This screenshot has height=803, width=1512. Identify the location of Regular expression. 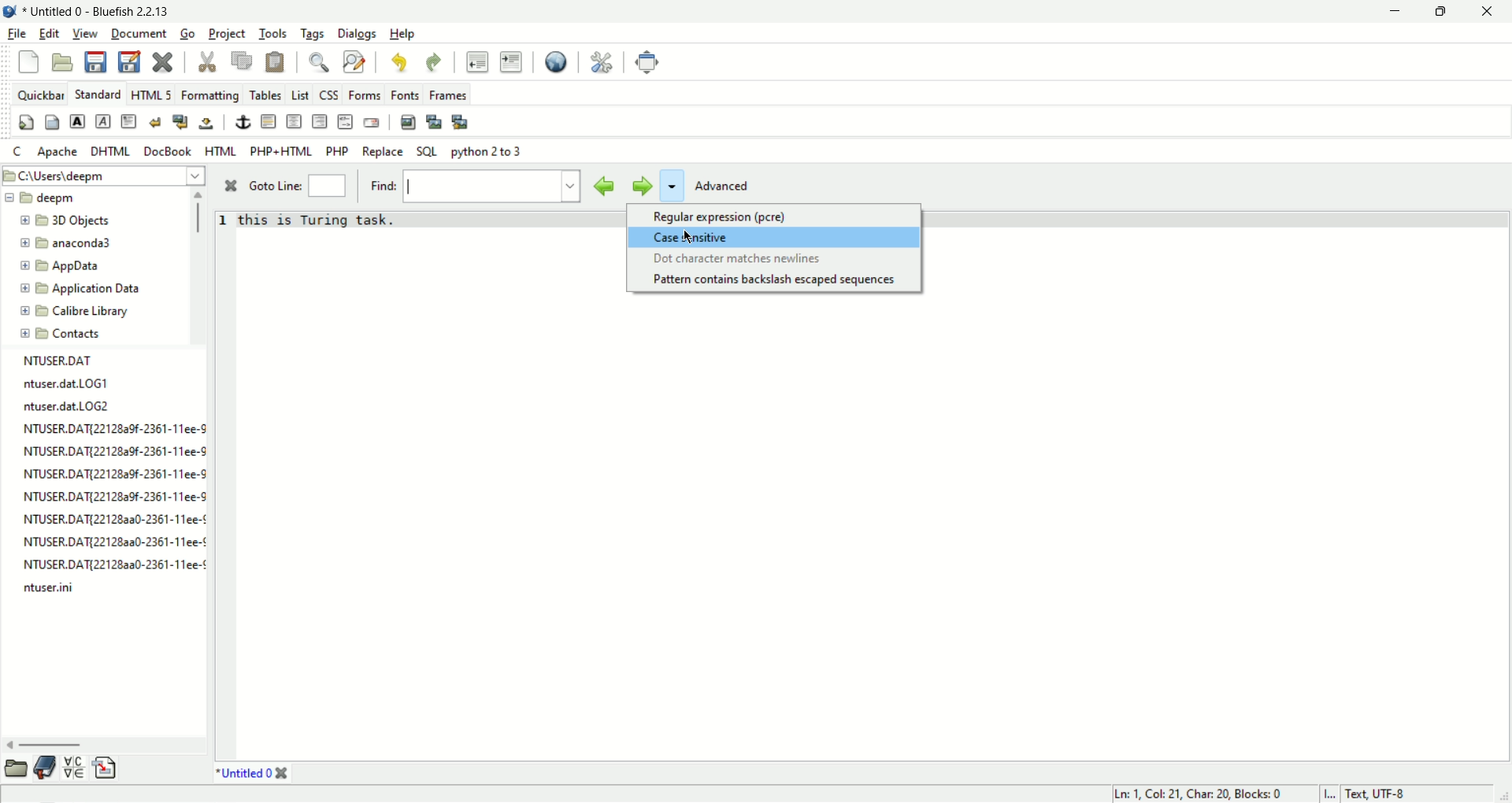
(715, 217).